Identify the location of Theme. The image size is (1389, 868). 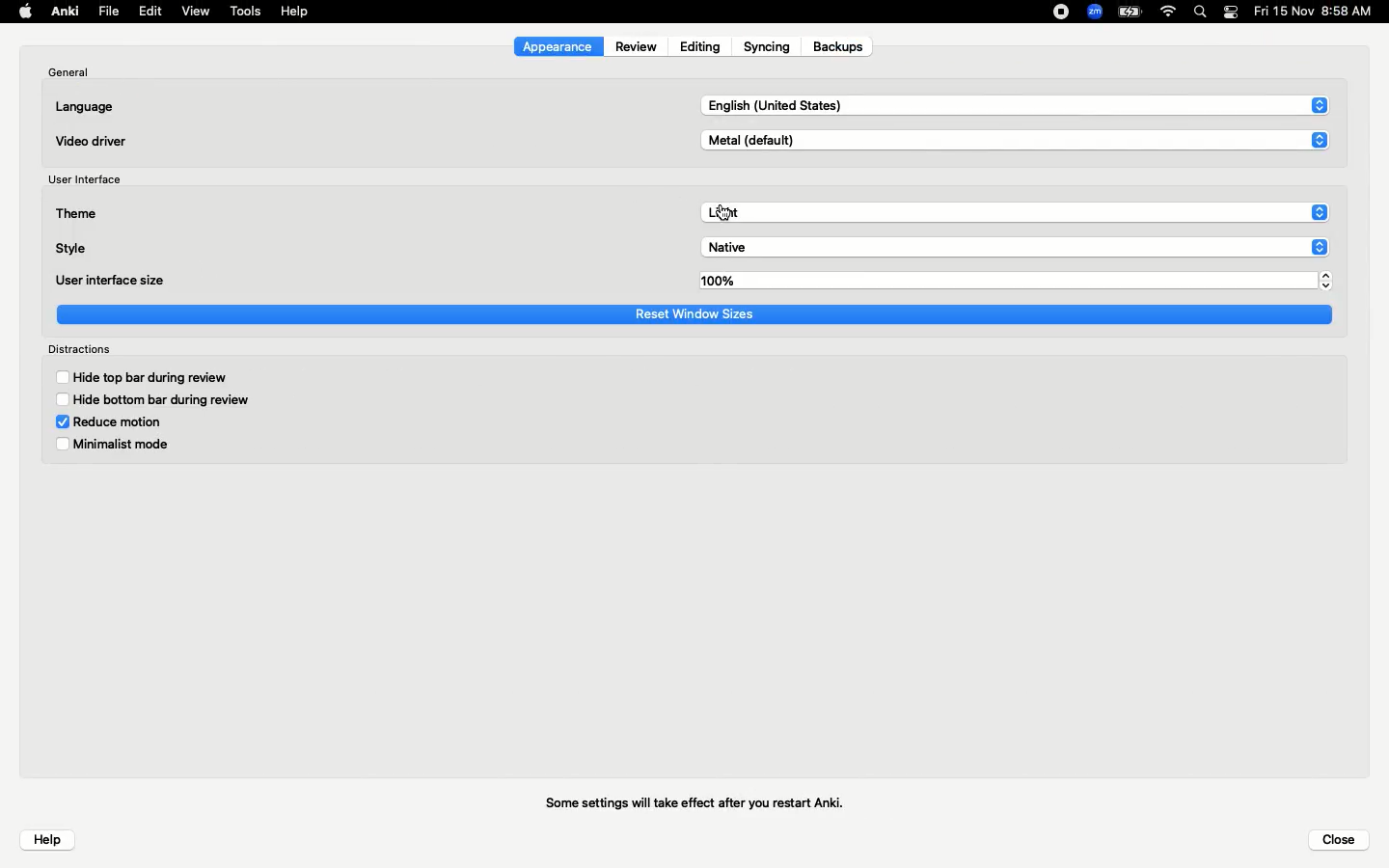
(78, 214).